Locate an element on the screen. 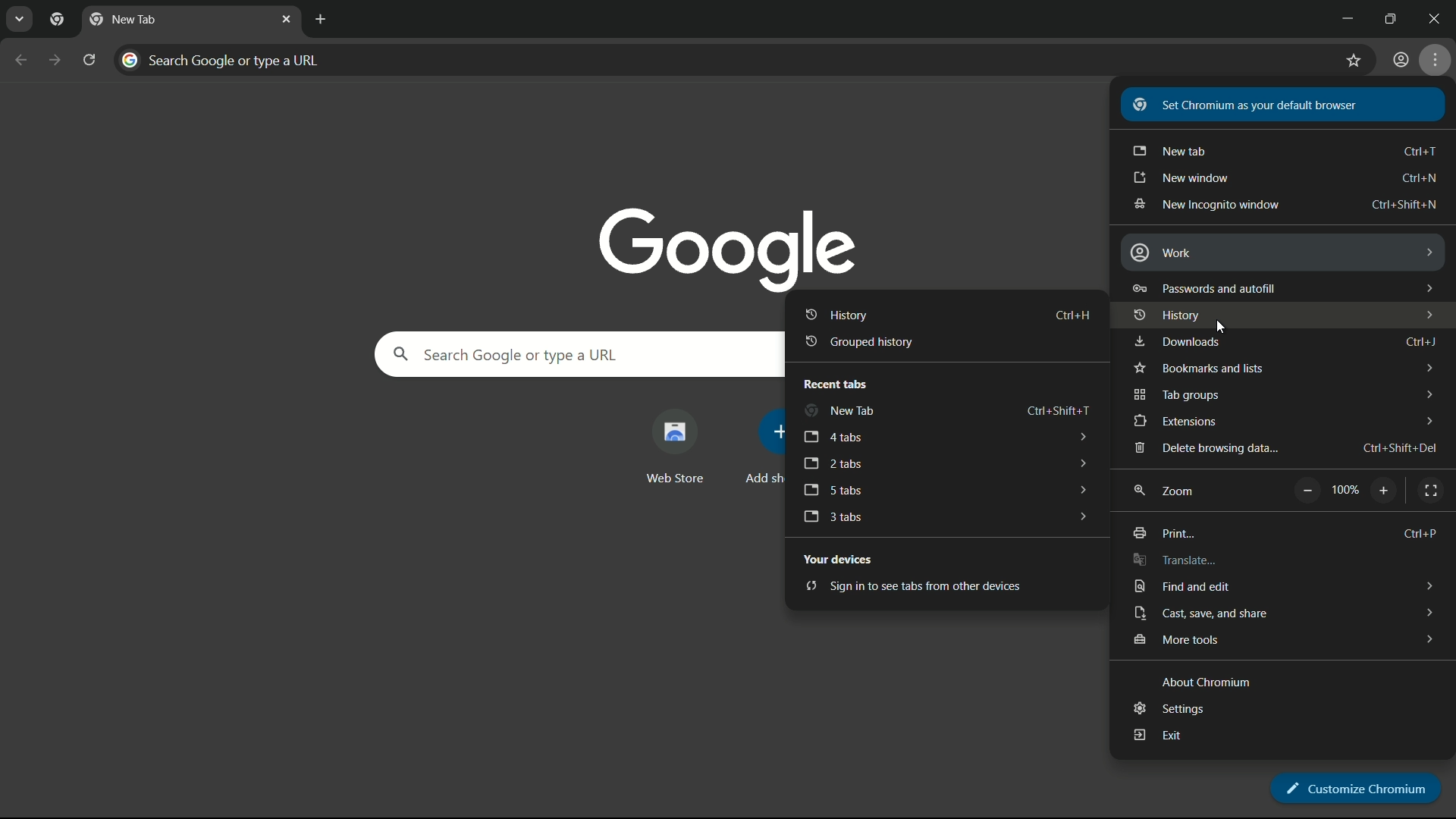  dropdown arrows is located at coordinates (1080, 464).